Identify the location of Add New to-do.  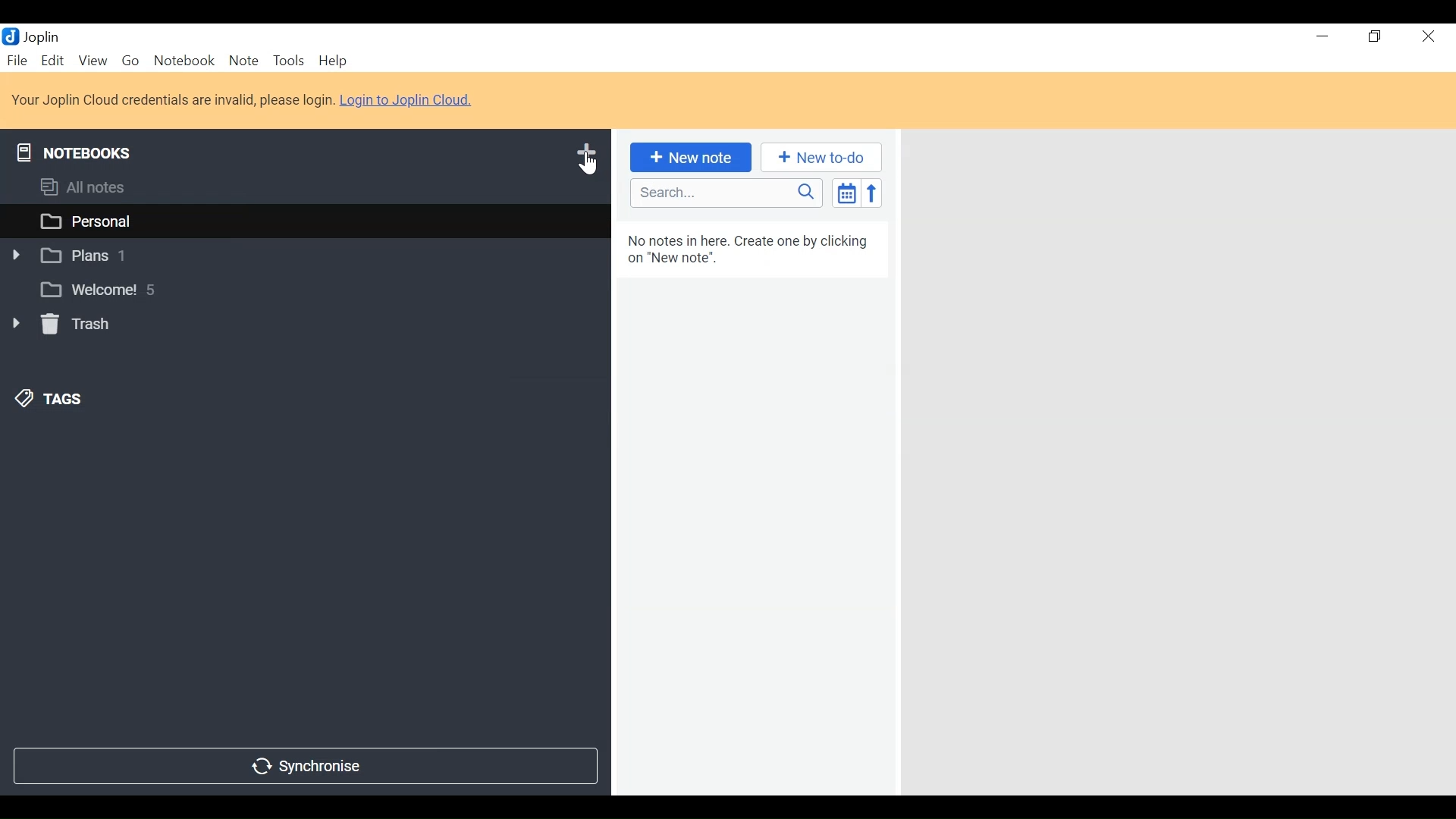
(821, 158).